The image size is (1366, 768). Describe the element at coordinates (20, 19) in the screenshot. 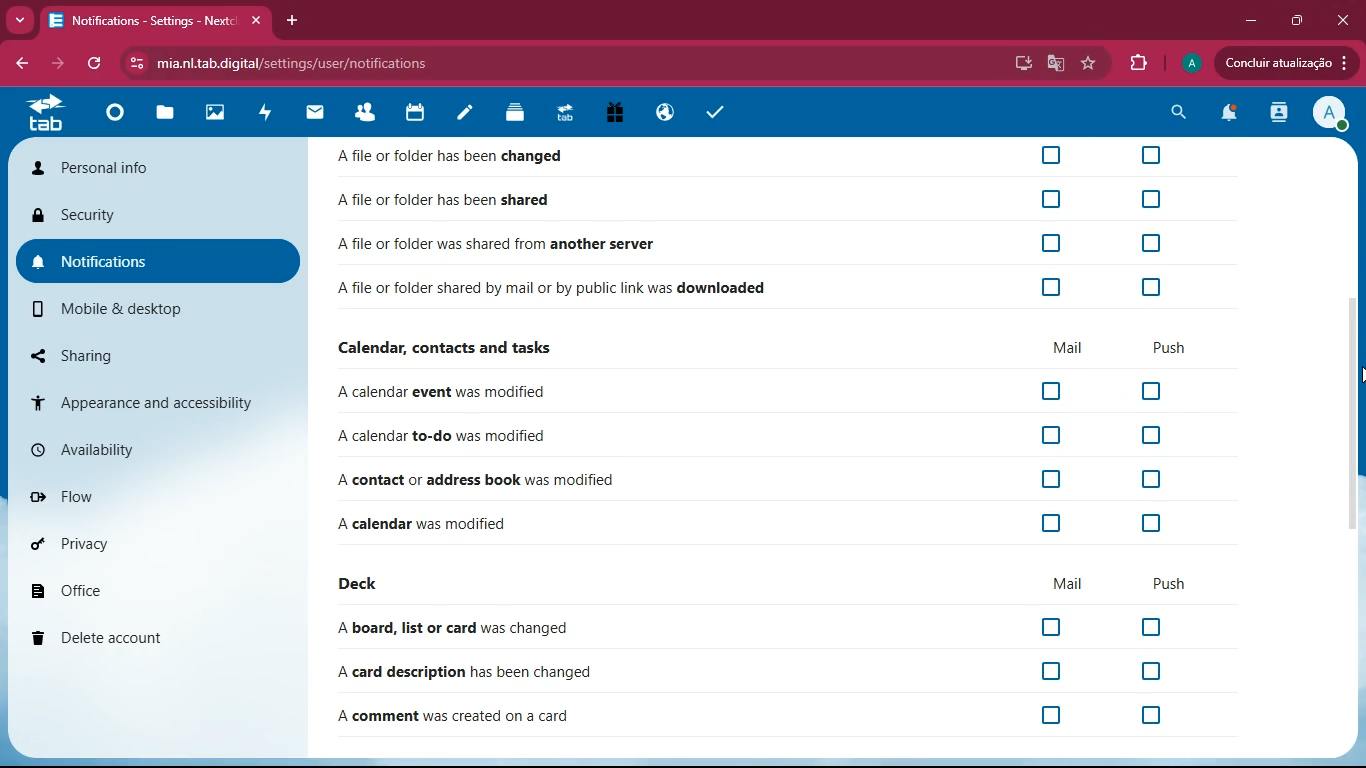

I see `more` at that location.